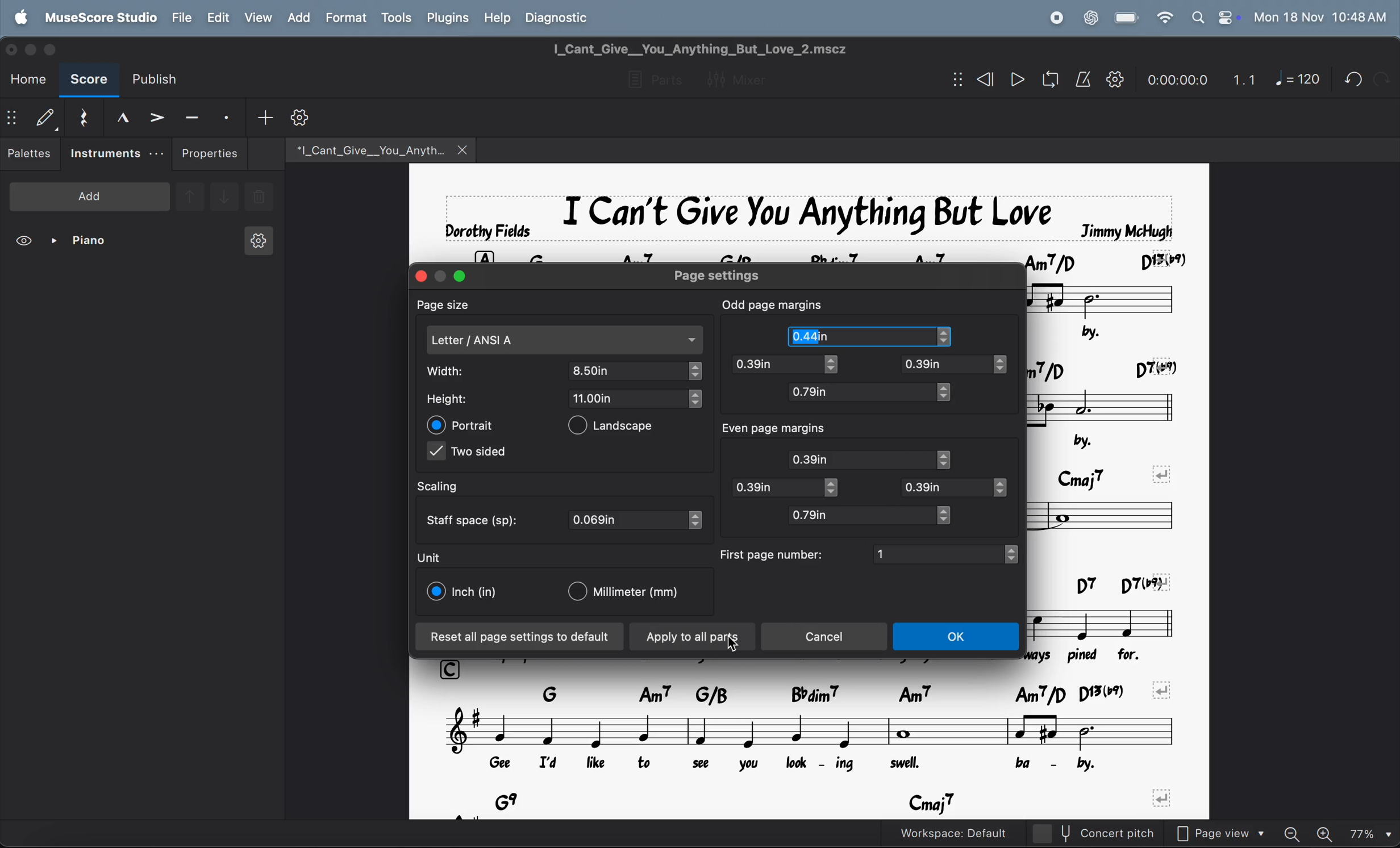 This screenshot has width=1400, height=848. Describe the element at coordinates (1113, 470) in the screenshot. I see `chord symbols` at that location.